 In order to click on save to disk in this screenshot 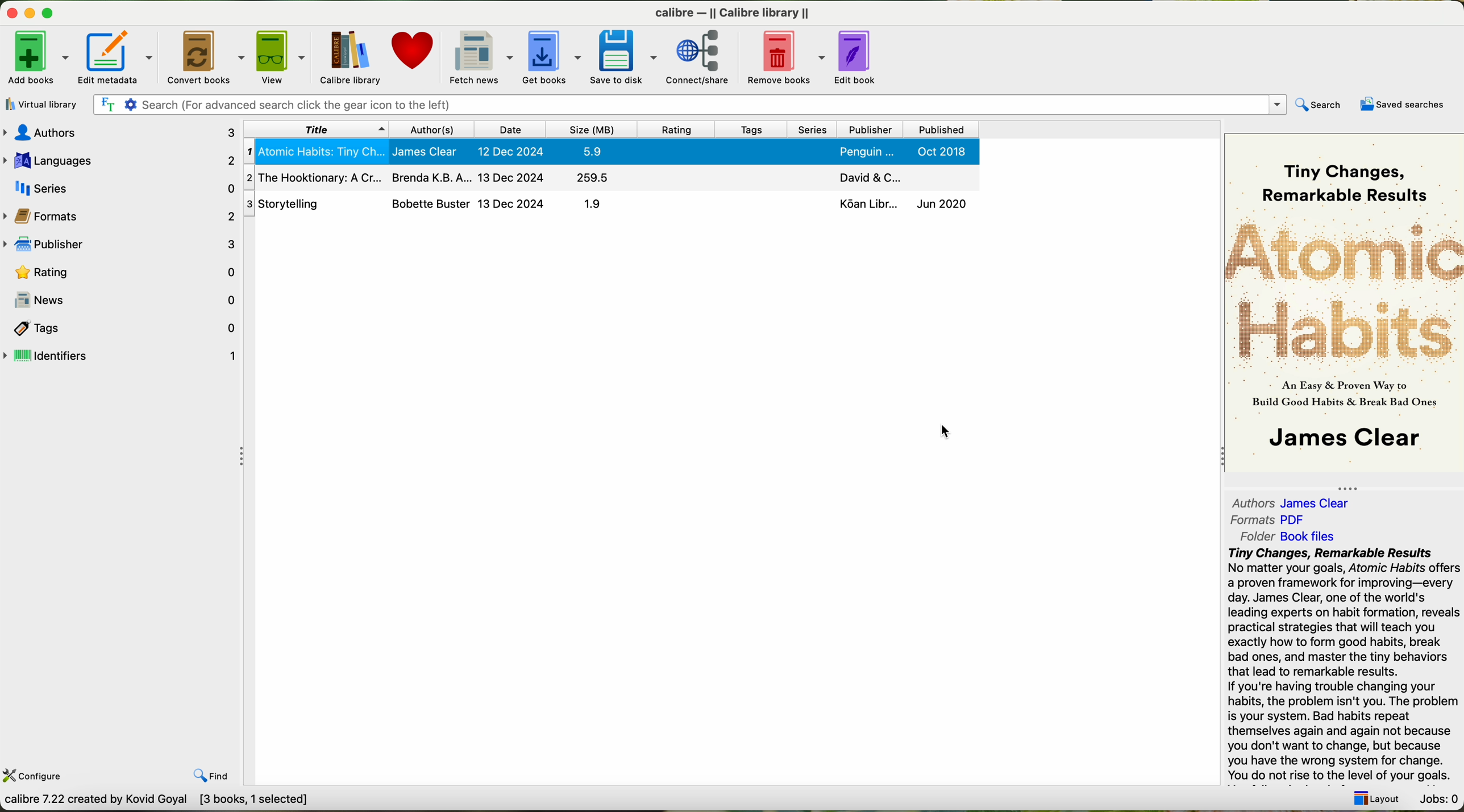, I will do `click(626, 56)`.